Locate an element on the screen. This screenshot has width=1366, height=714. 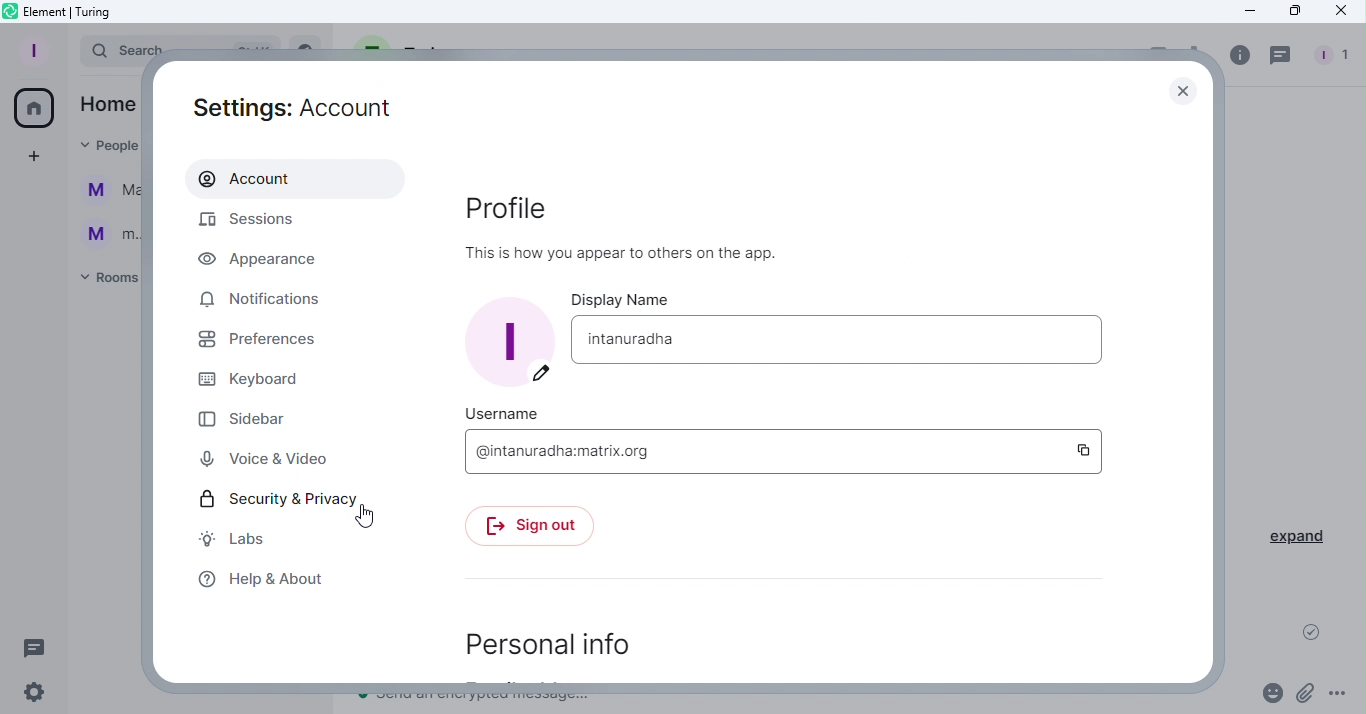
Display name- intanuradha is located at coordinates (844, 340).